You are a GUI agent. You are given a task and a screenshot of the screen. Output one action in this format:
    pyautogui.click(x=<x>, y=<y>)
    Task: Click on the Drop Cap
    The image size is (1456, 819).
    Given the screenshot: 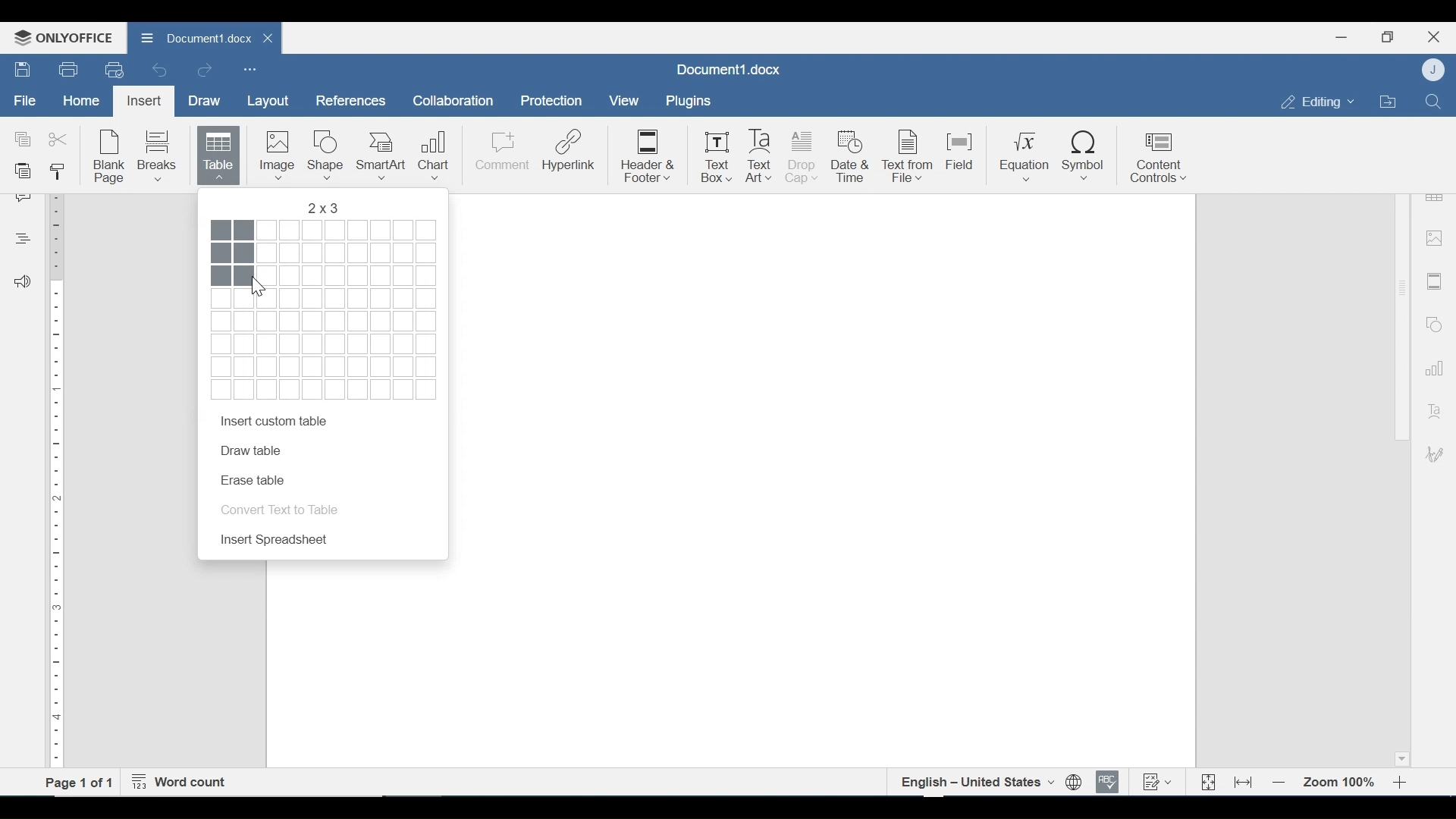 What is the action you would take?
    pyautogui.click(x=803, y=158)
    